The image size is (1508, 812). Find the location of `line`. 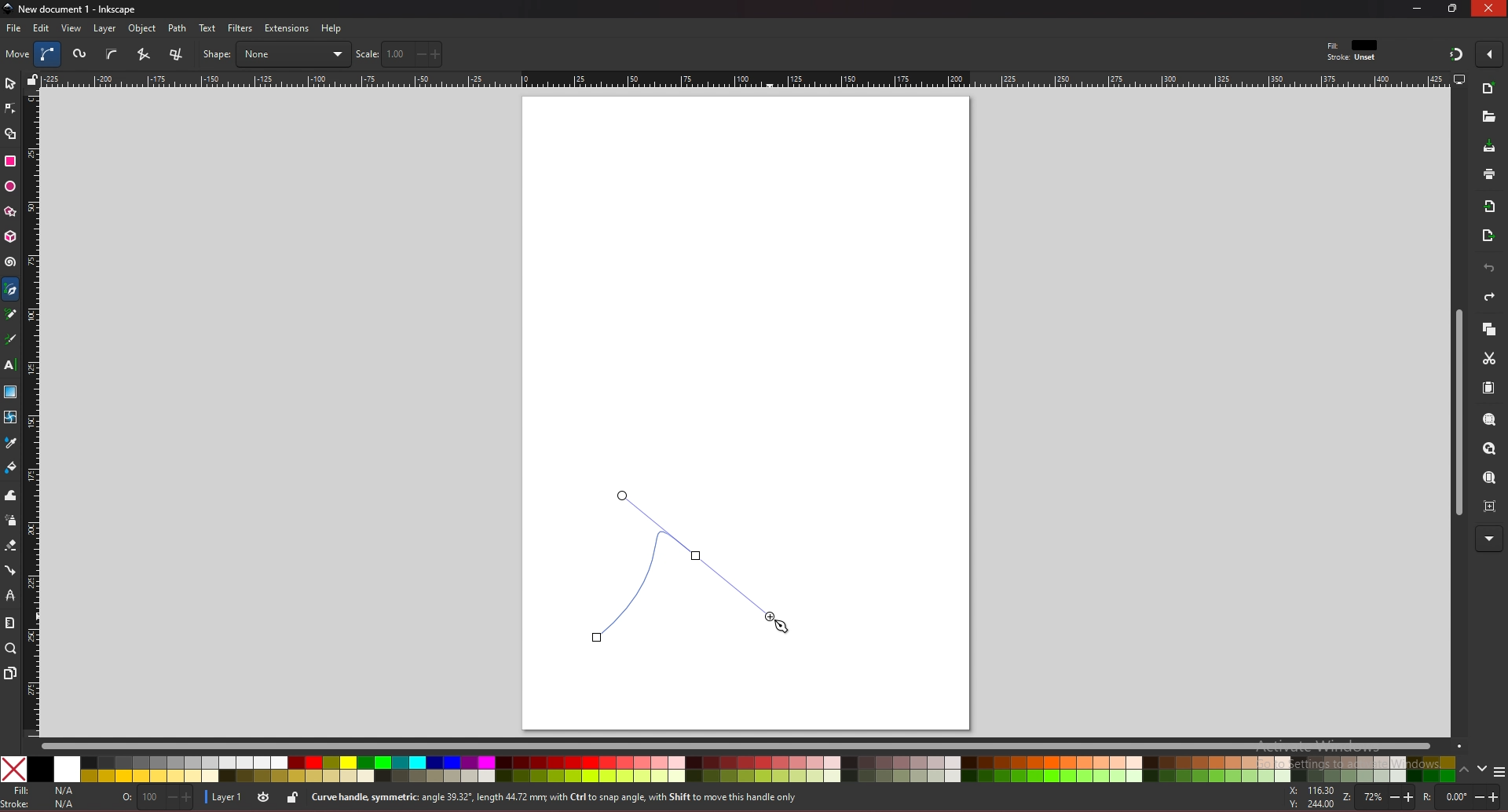

line is located at coordinates (682, 565).